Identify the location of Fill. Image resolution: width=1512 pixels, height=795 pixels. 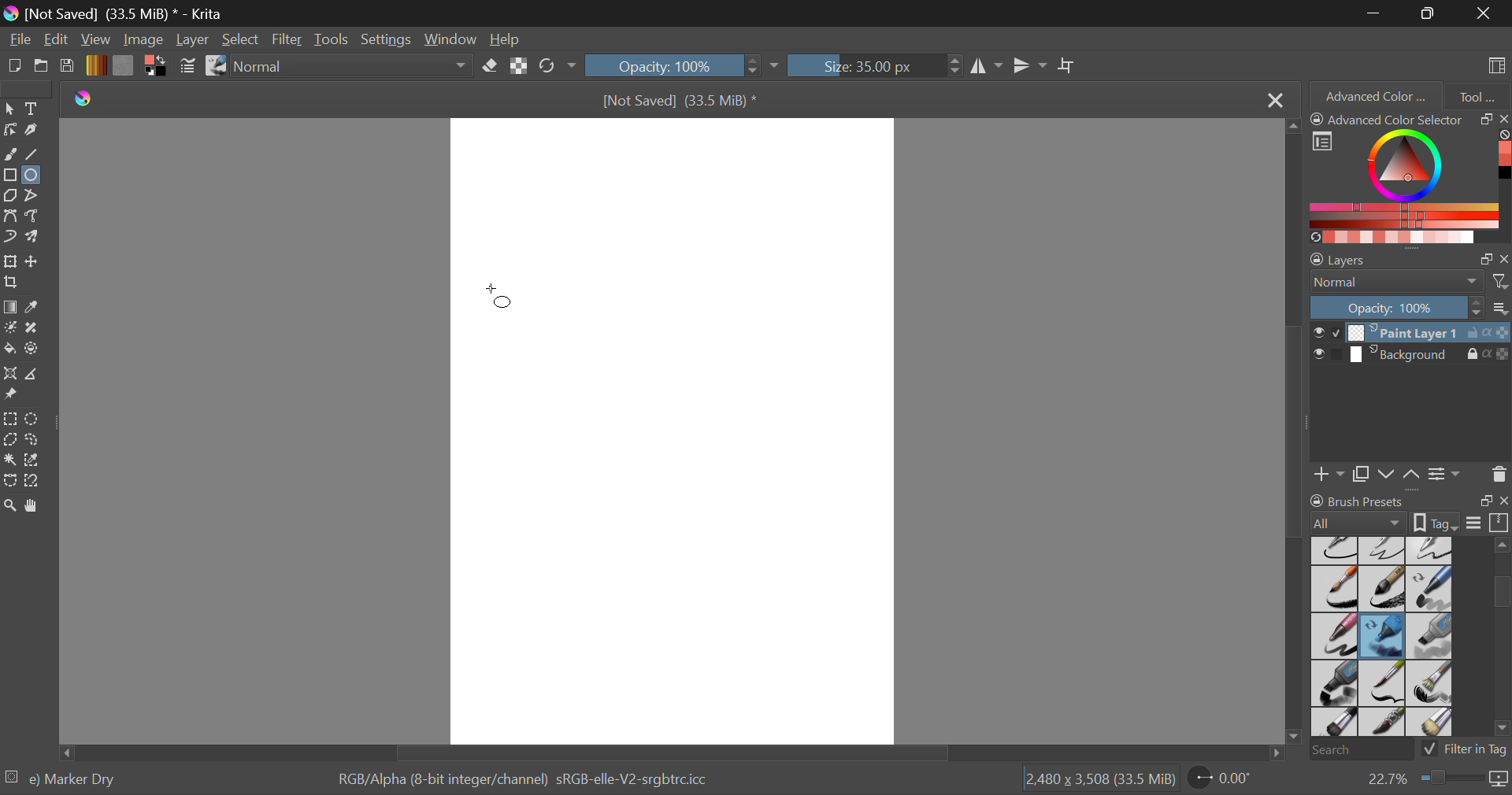
(9, 346).